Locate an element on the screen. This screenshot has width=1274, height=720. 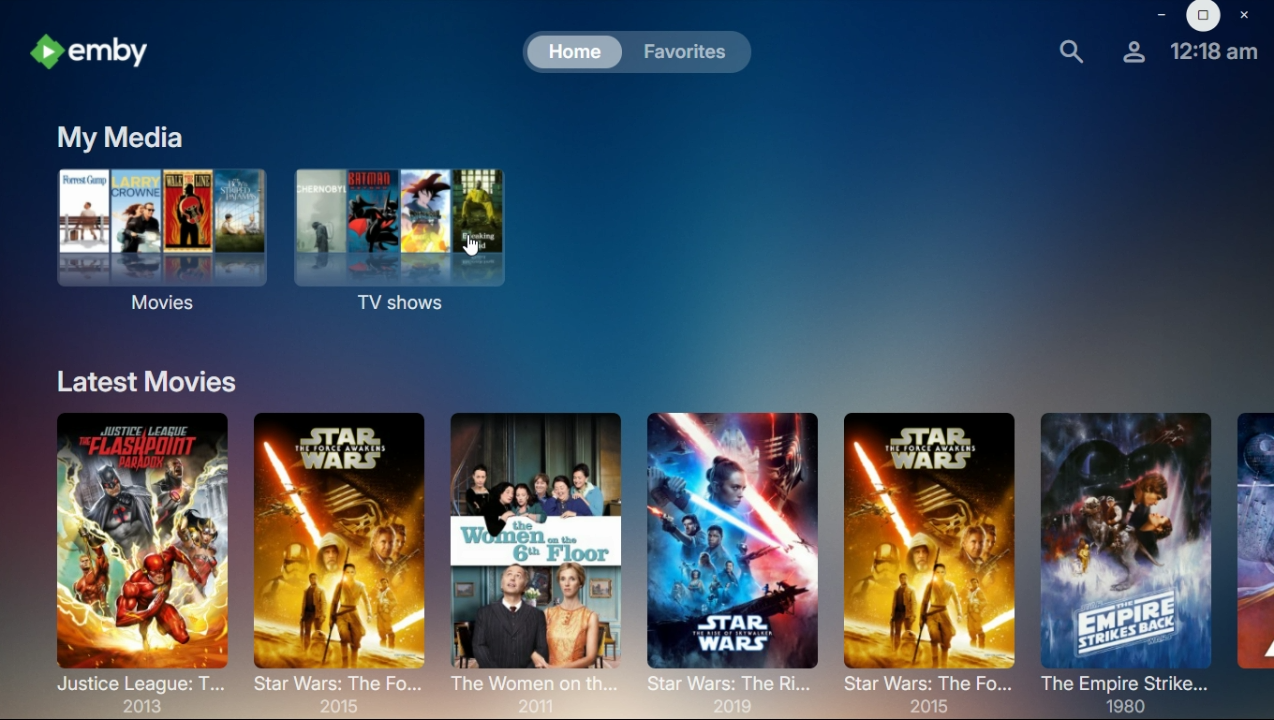
the women on the 6th floor 2011 is located at coordinates (536, 552).